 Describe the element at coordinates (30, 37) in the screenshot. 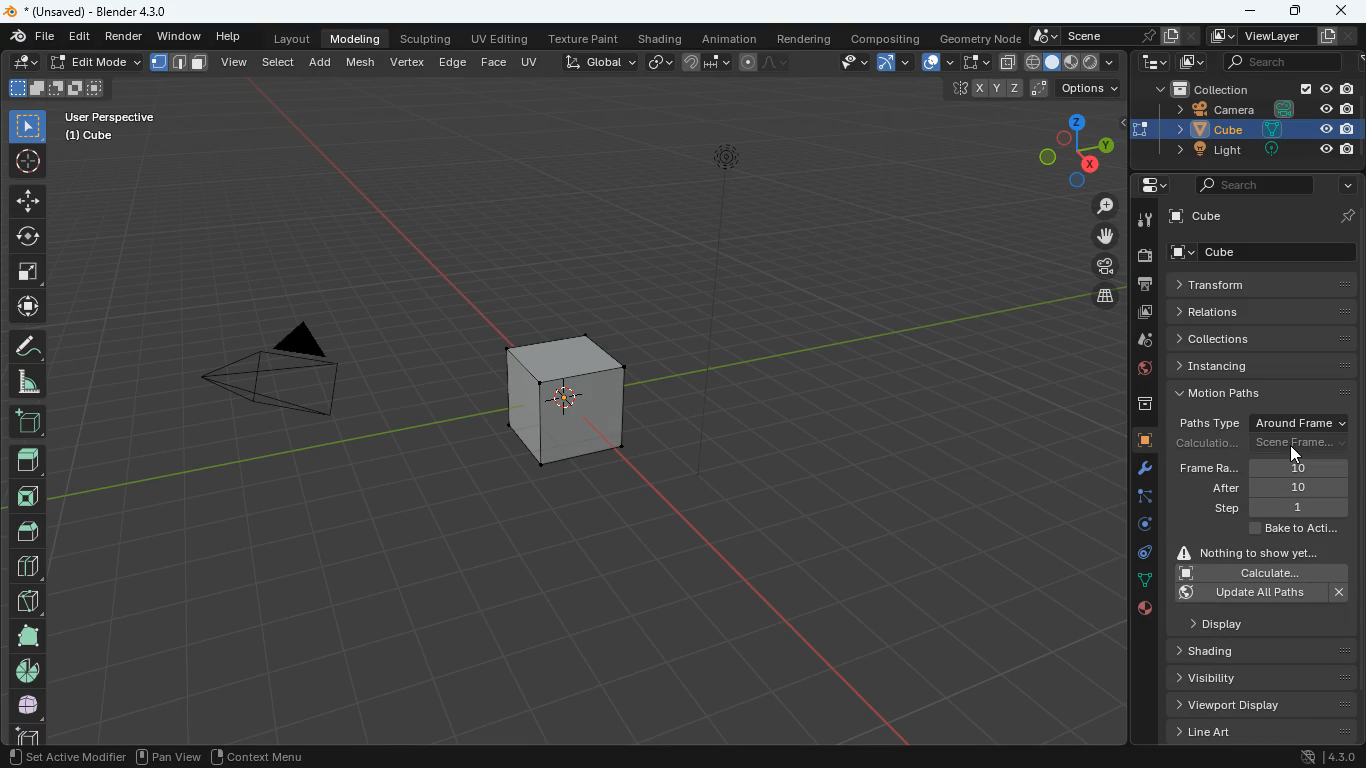

I see `file` at that location.